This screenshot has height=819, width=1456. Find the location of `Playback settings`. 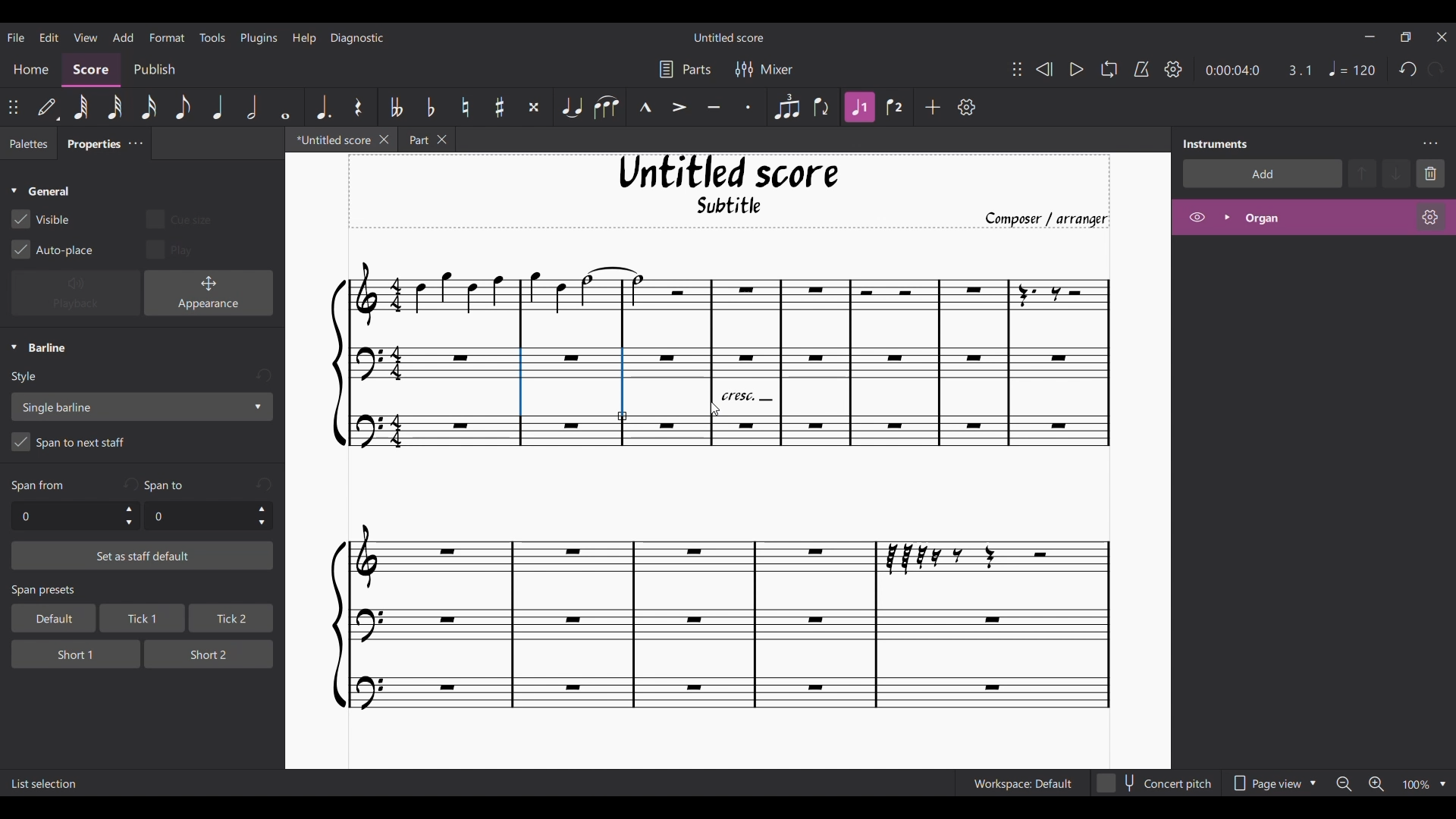

Playback settings is located at coordinates (1173, 69).